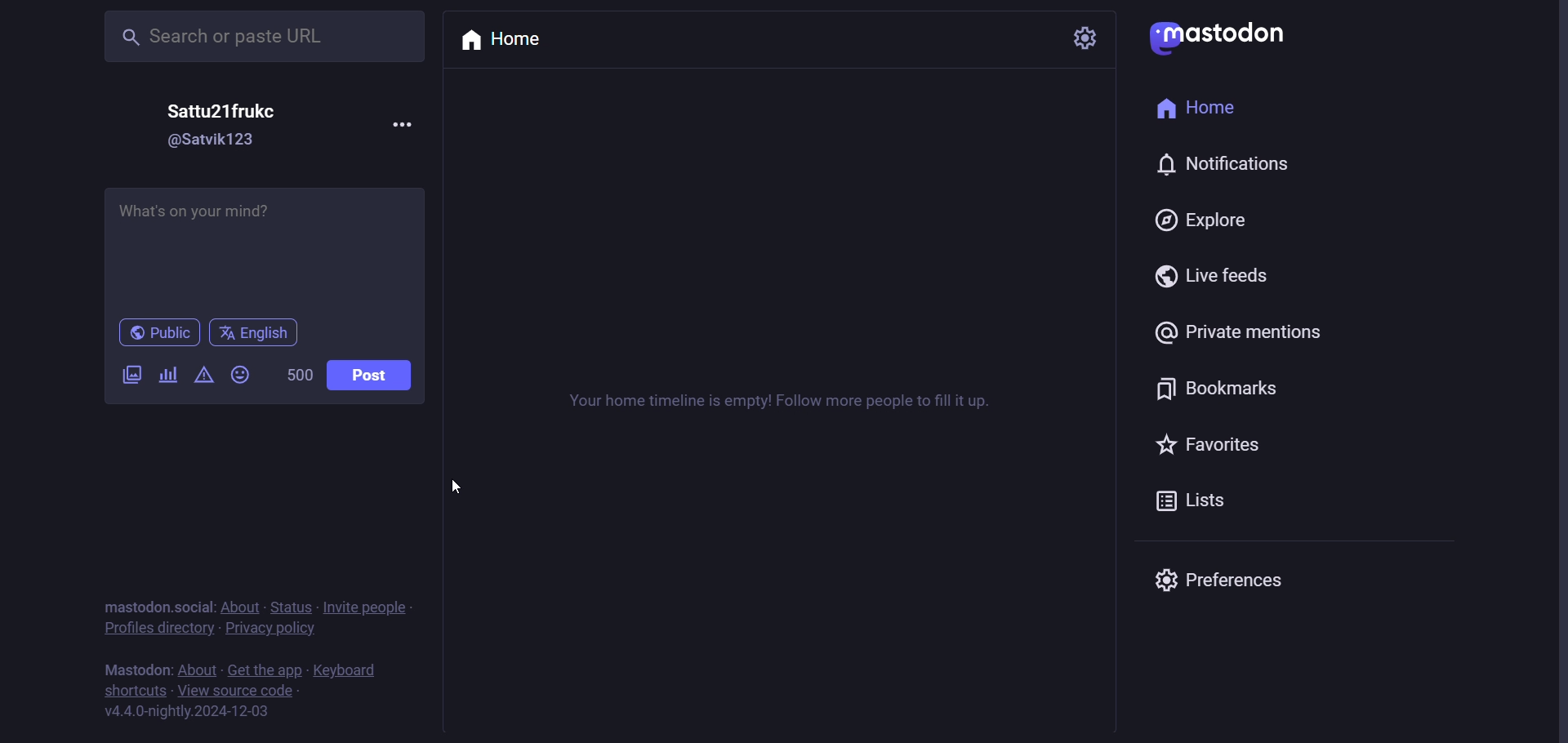  Describe the element at coordinates (193, 713) in the screenshot. I see `v4.4.0-nightly.2024-12-03` at that location.